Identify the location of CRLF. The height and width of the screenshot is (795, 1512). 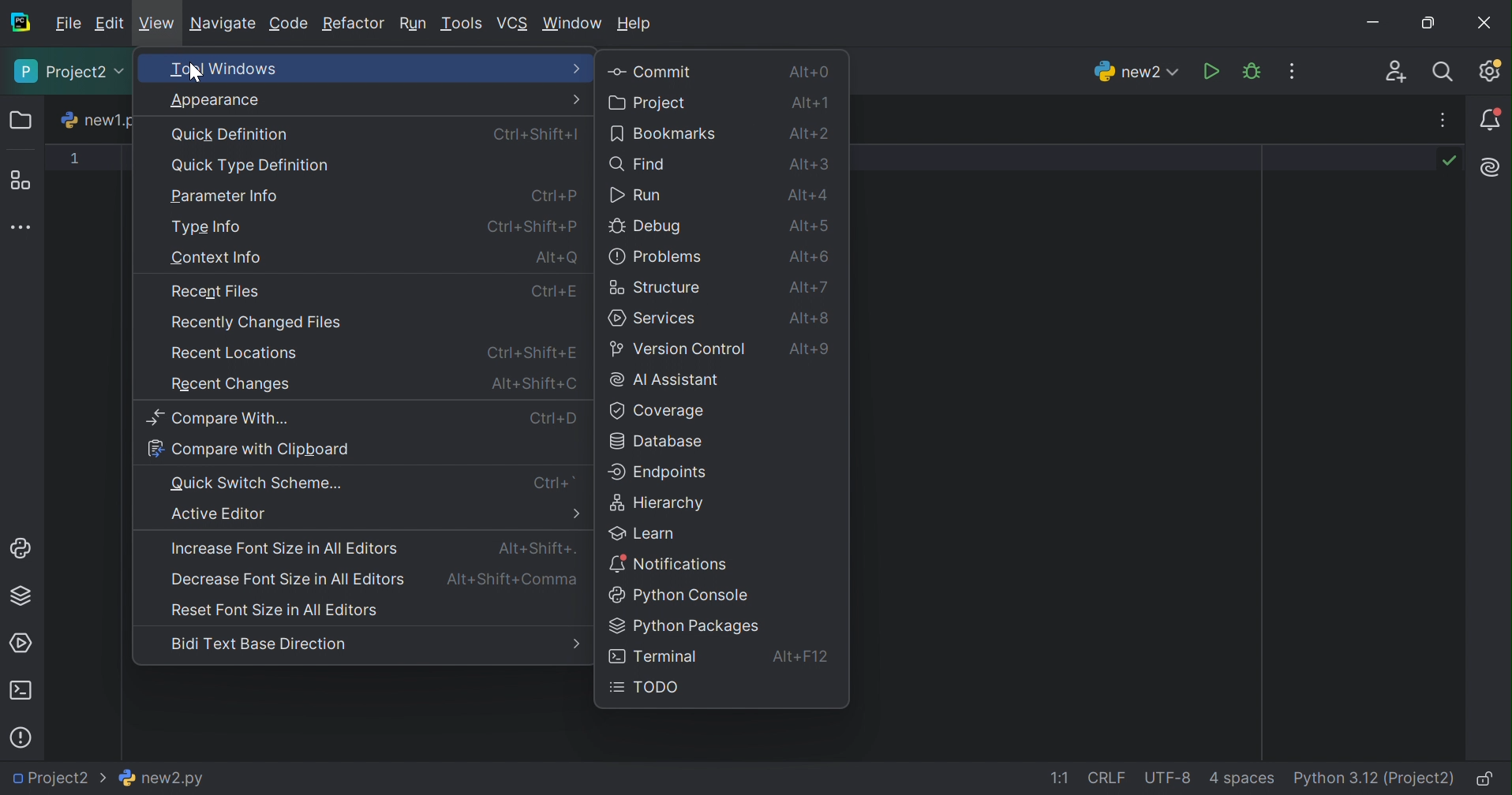
(1105, 777).